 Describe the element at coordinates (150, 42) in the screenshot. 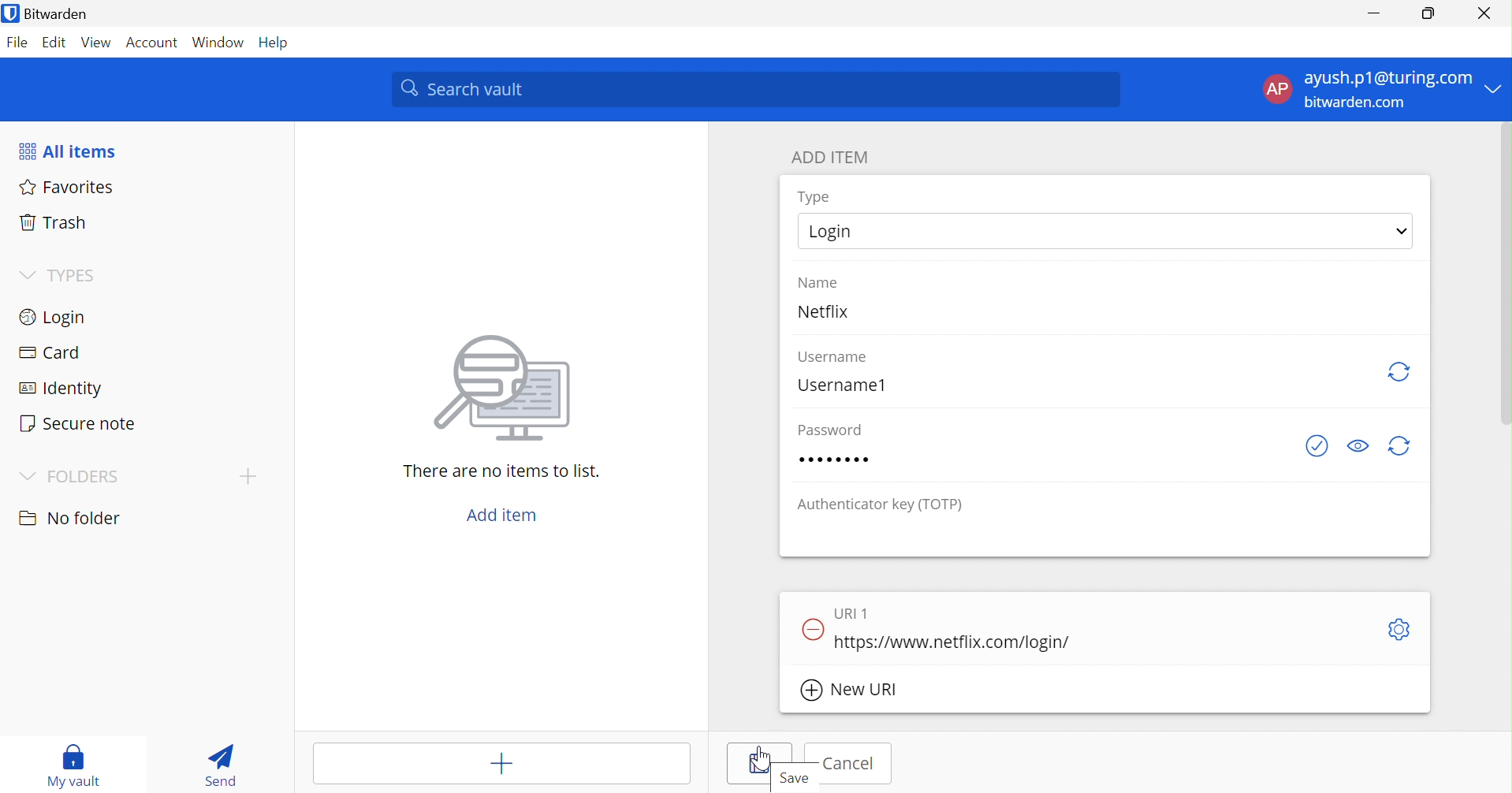

I see `Account` at that location.